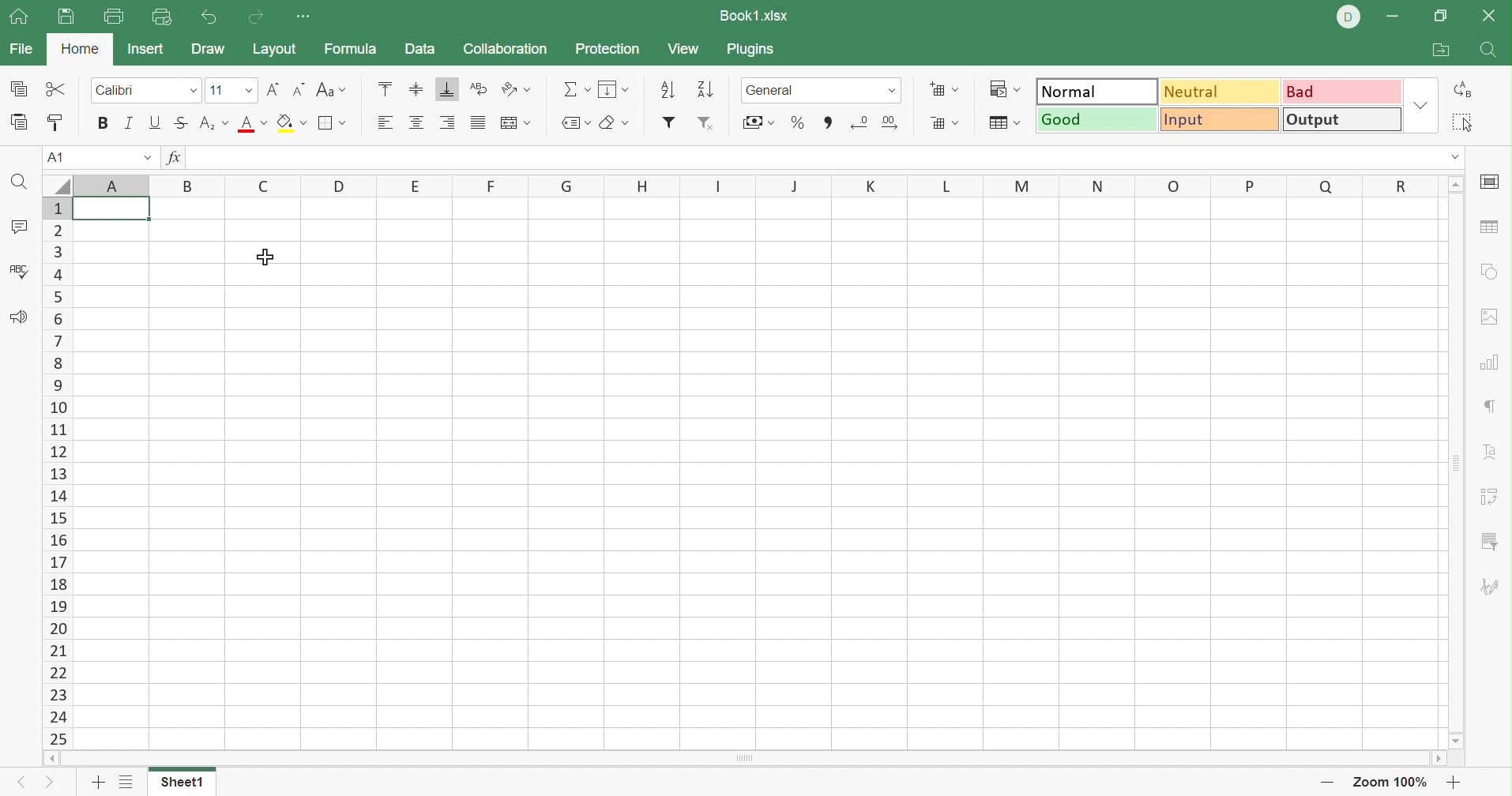 The height and width of the screenshot is (796, 1512). What do you see at coordinates (1217, 118) in the screenshot?
I see `Input` at bounding box center [1217, 118].